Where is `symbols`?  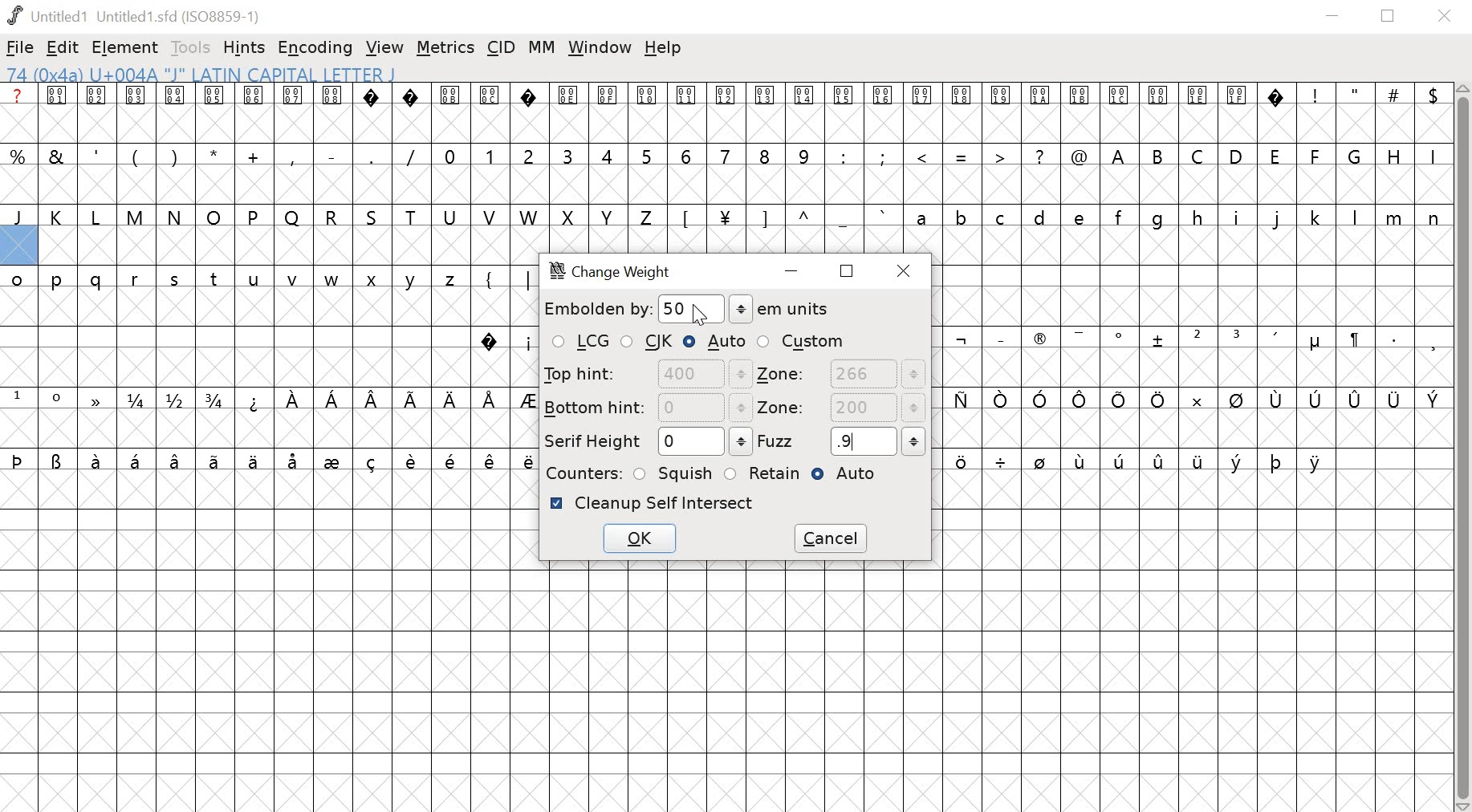
symbols is located at coordinates (1190, 400).